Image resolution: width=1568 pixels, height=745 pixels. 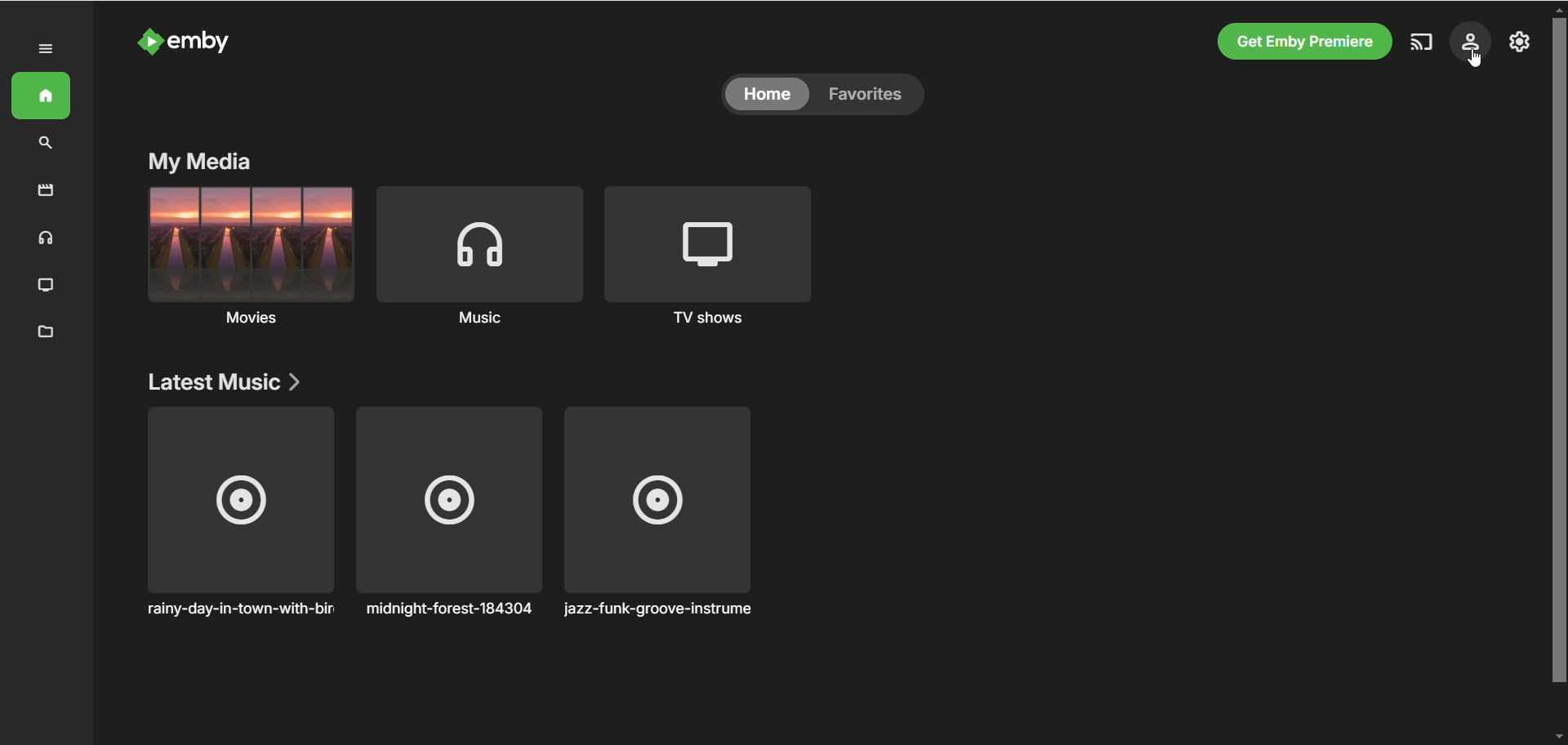 I want to click on home, so click(x=766, y=96).